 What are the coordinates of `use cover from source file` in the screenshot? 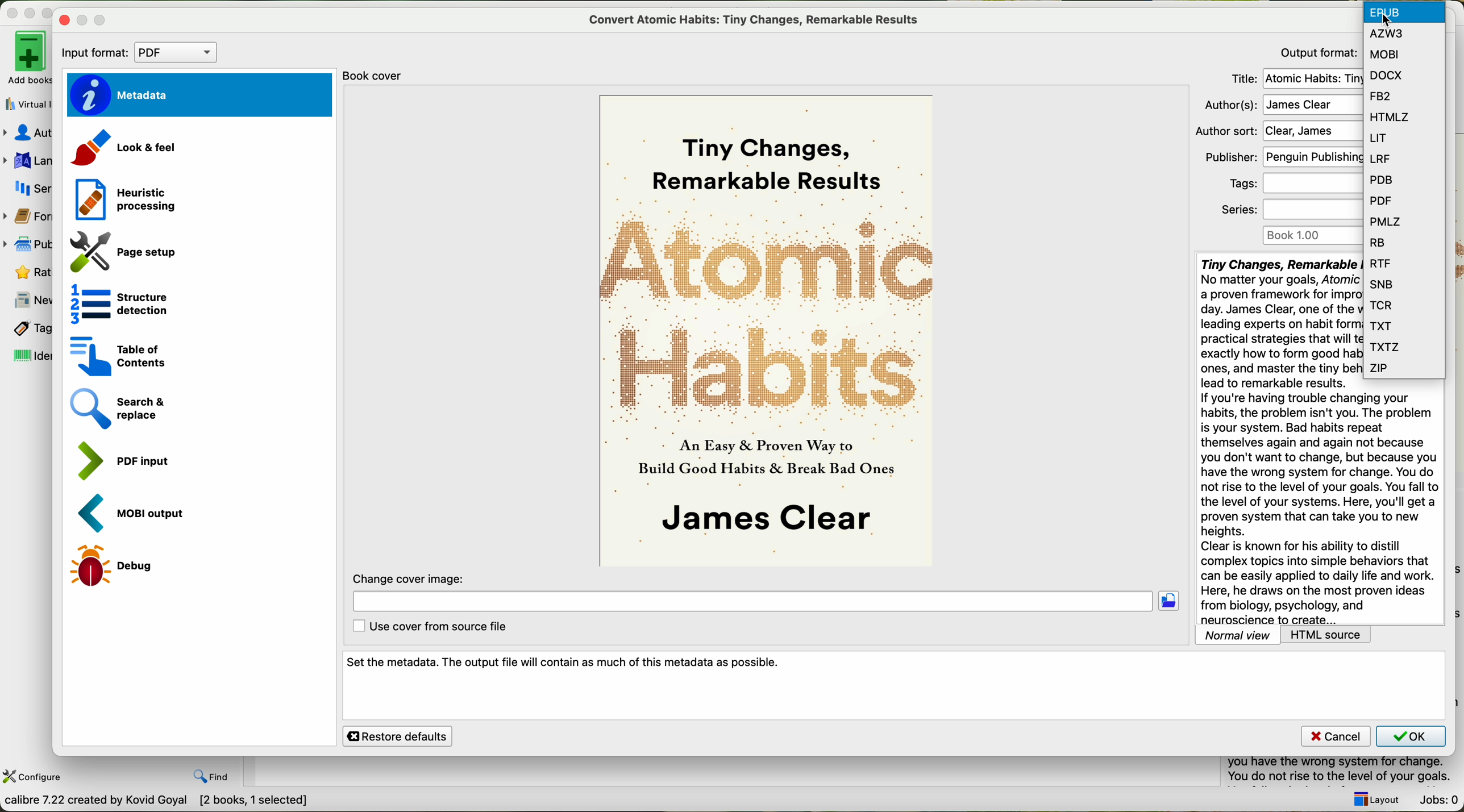 It's located at (432, 627).